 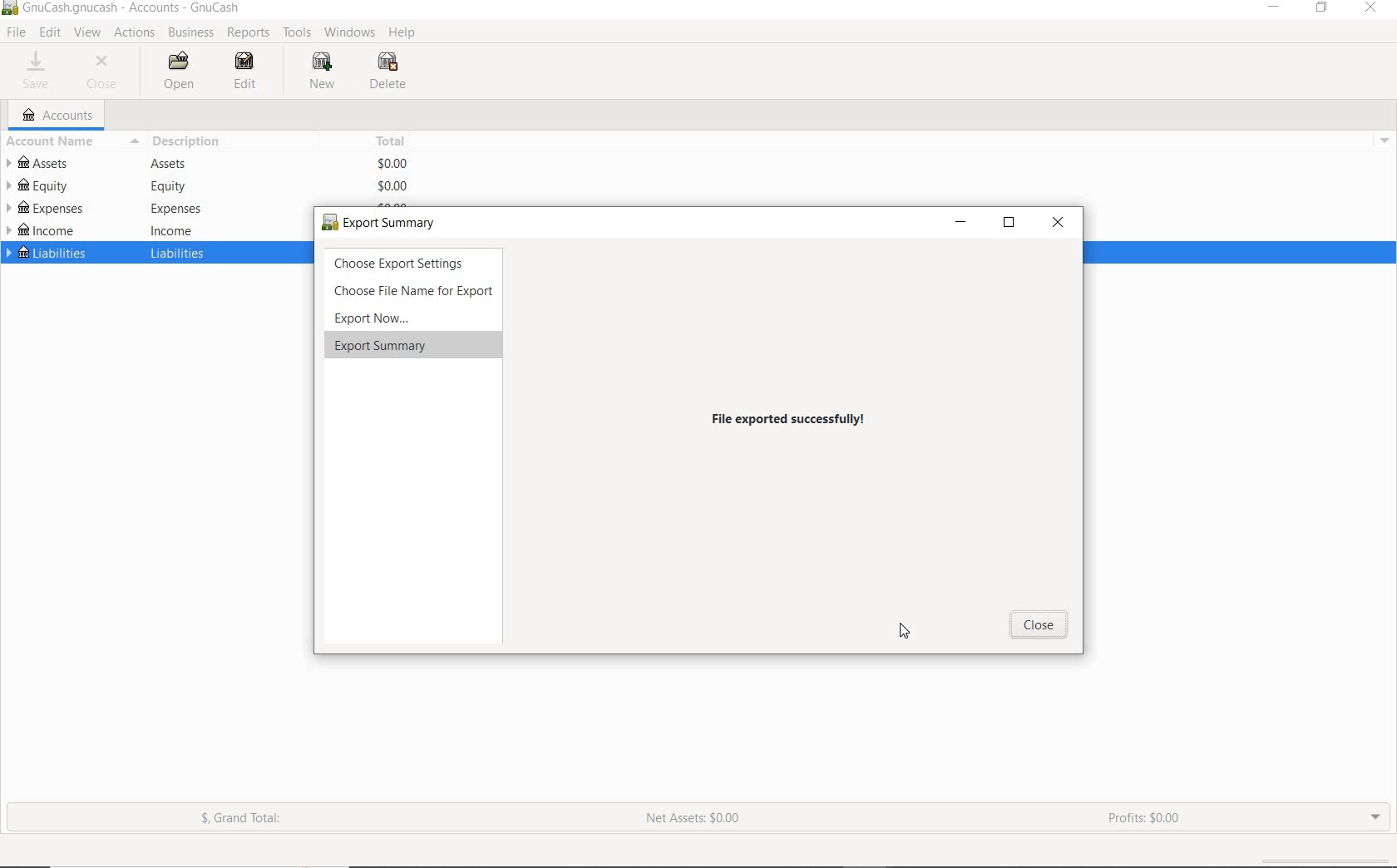 I want to click on DELETE, so click(x=388, y=73).